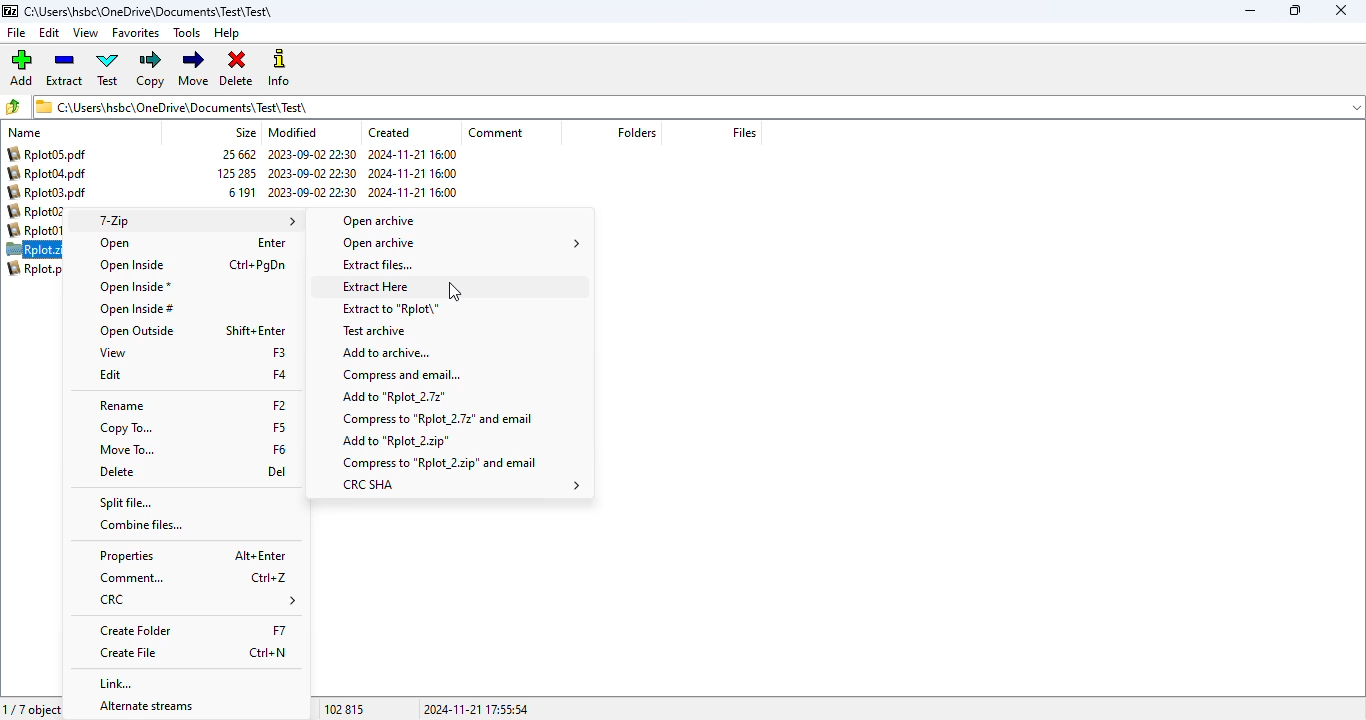  I want to click on 7-zip, so click(197, 221).